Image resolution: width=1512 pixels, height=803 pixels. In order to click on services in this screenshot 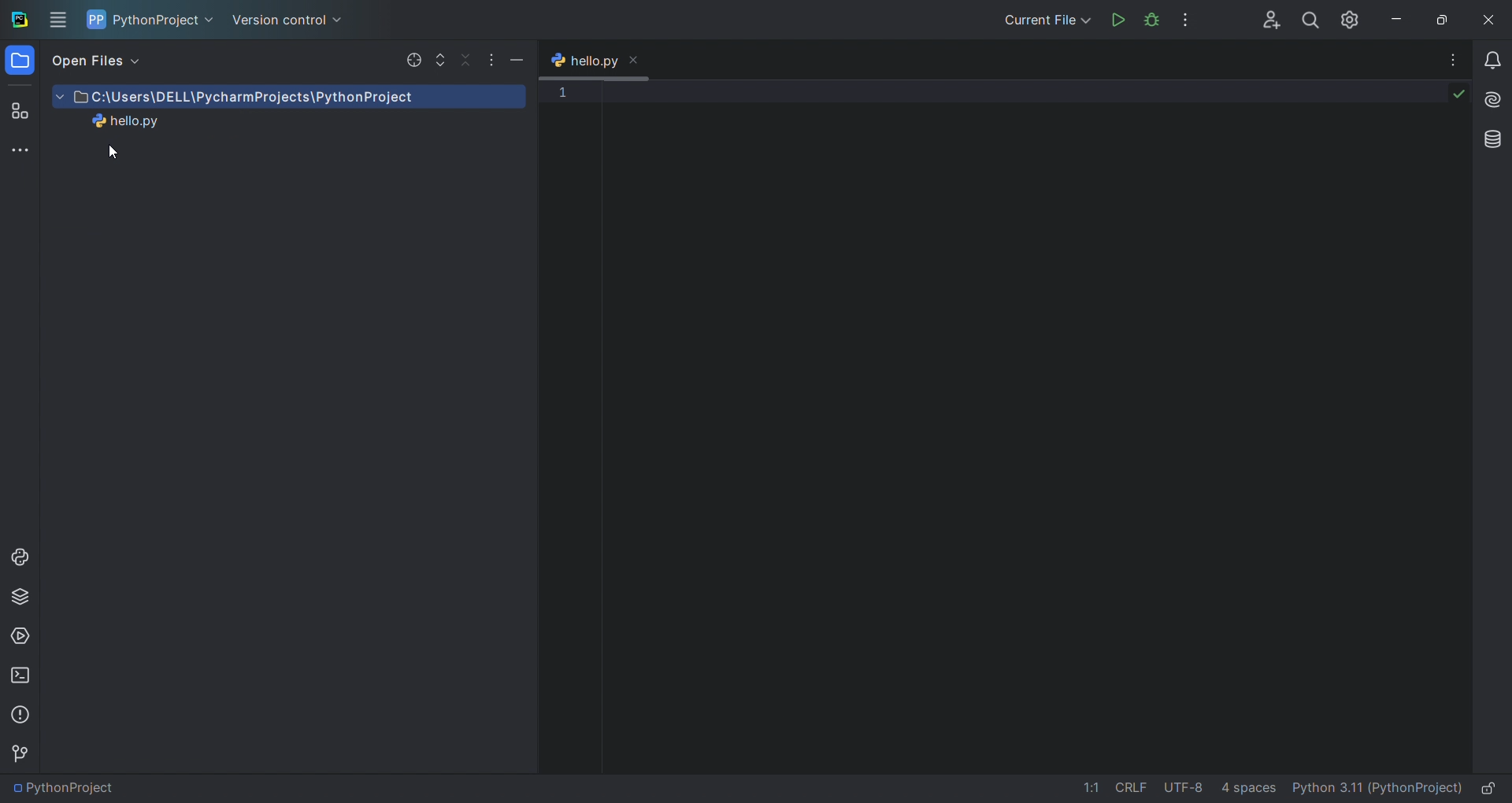, I will do `click(23, 635)`.